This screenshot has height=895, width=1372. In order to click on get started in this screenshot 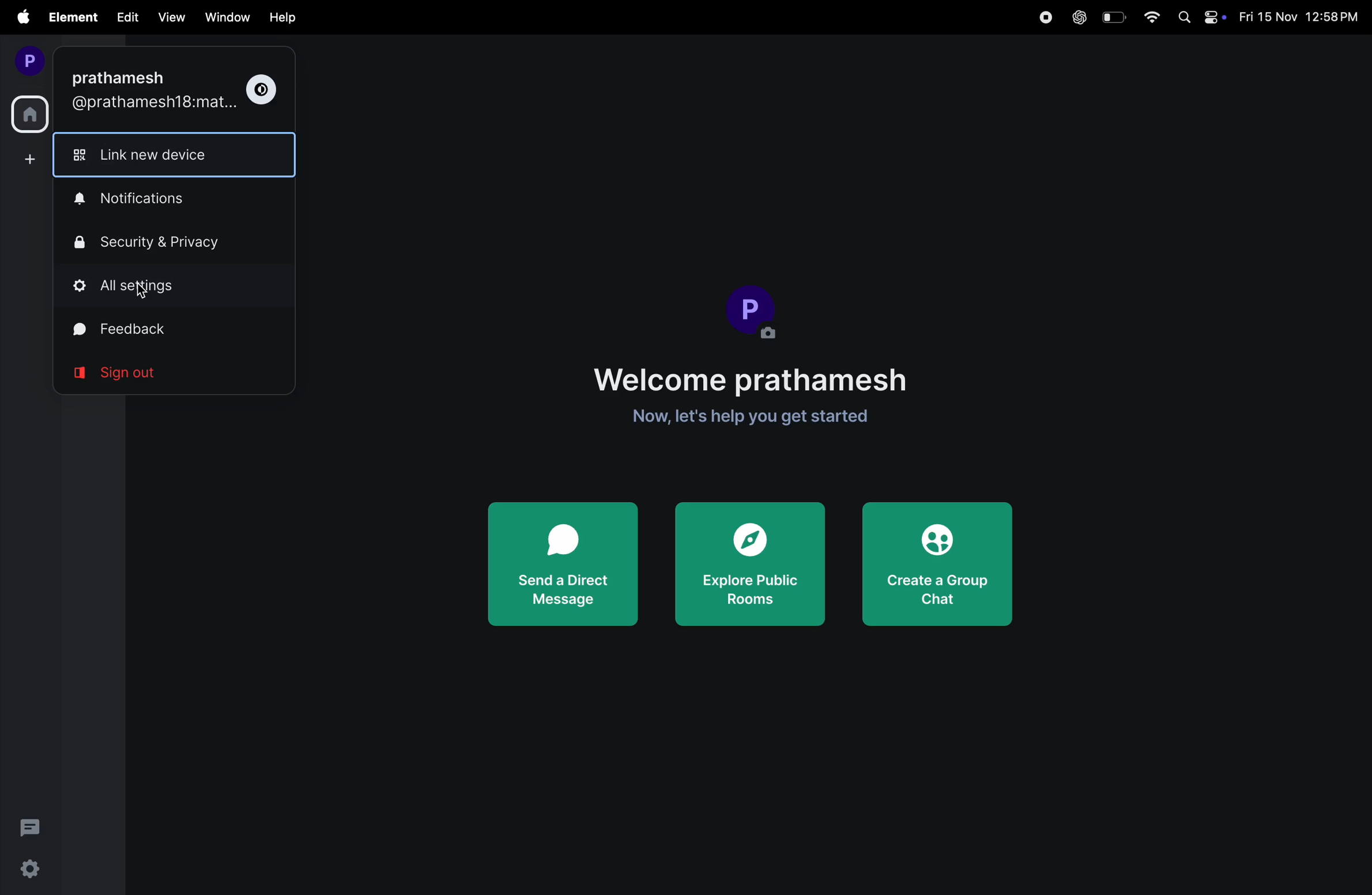, I will do `click(752, 419)`.